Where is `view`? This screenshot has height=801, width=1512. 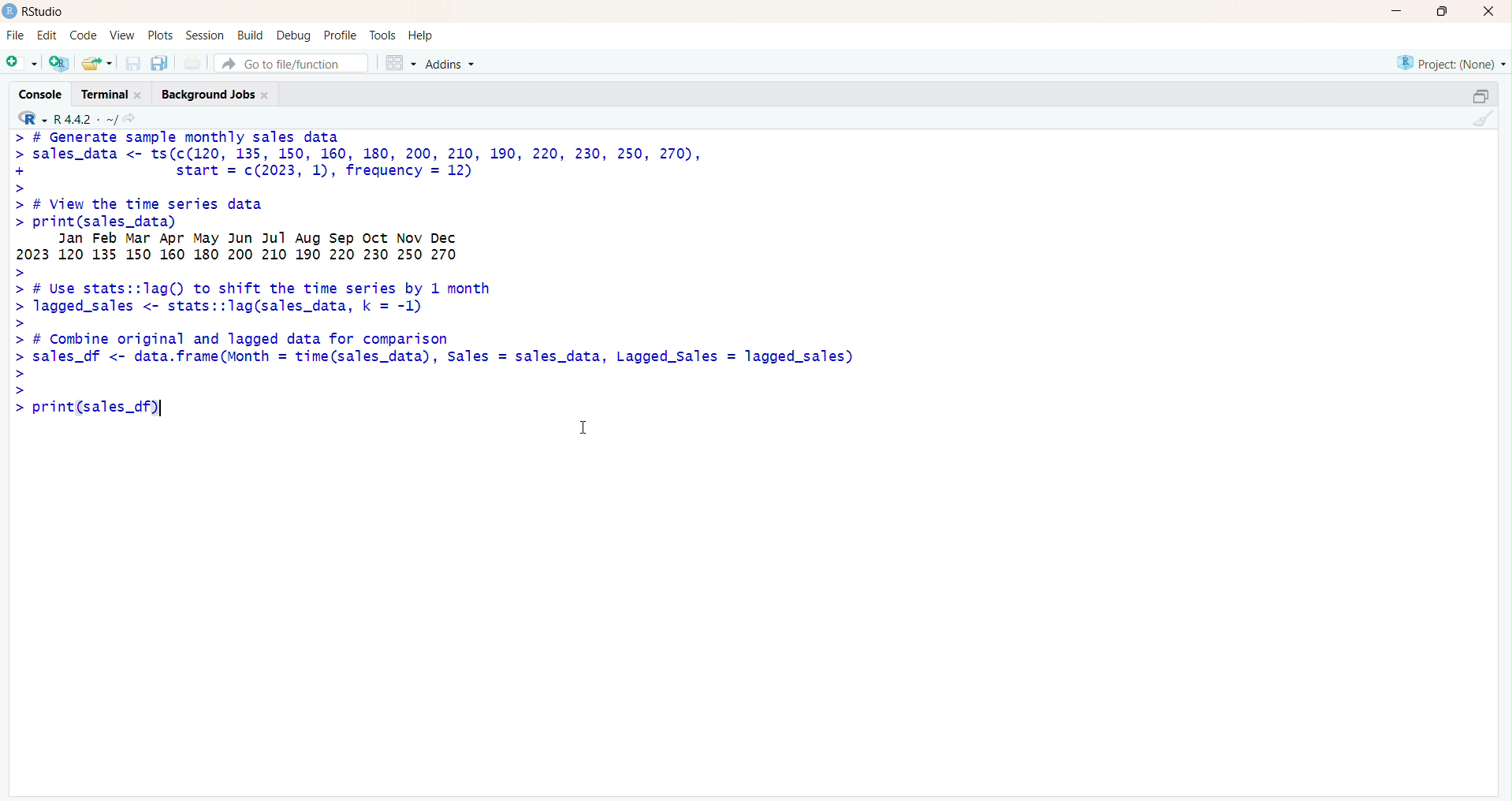
view is located at coordinates (121, 35).